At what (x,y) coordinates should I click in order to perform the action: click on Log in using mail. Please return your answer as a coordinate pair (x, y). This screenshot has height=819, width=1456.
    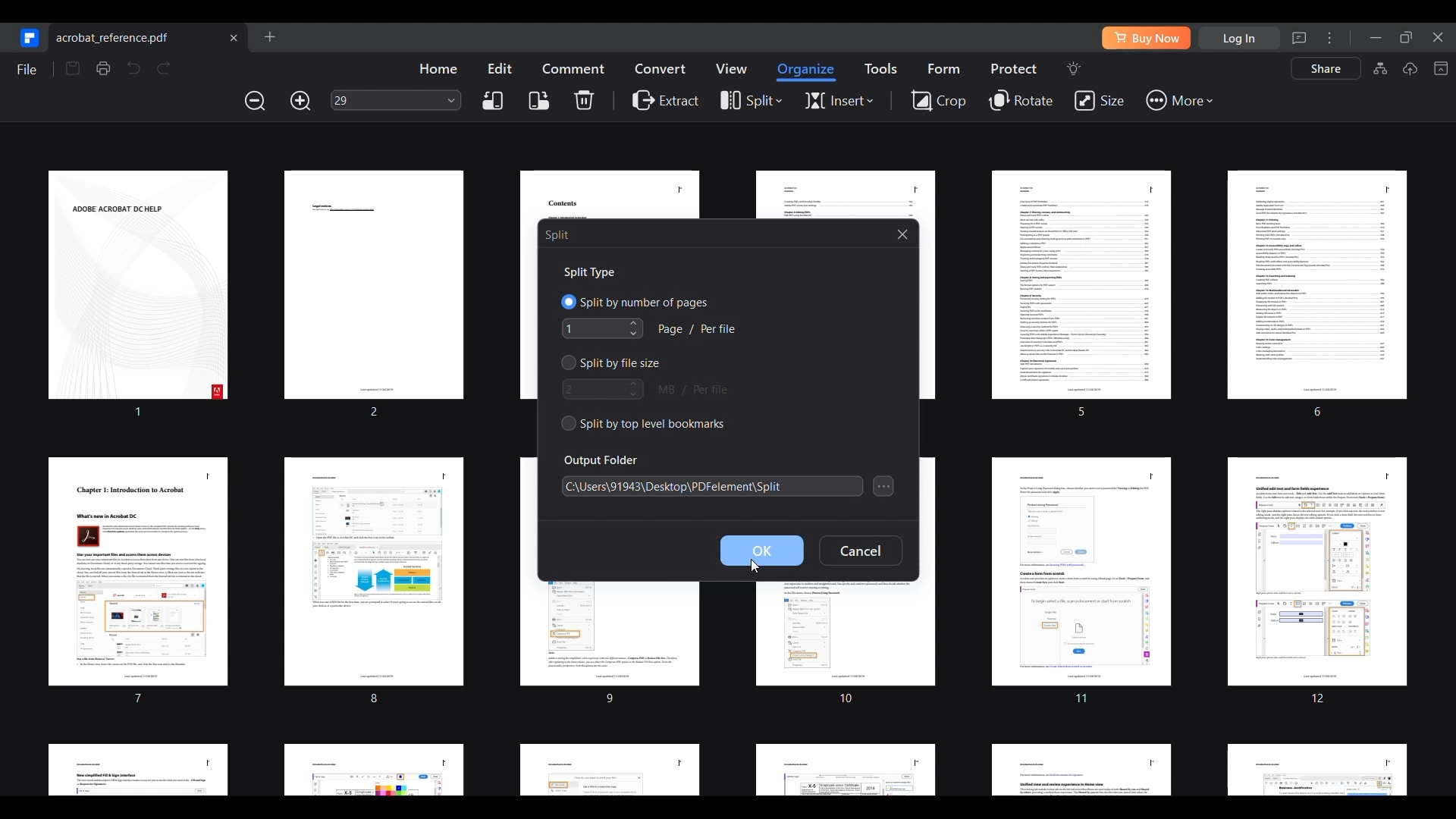
    Looking at the image, I should click on (1239, 38).